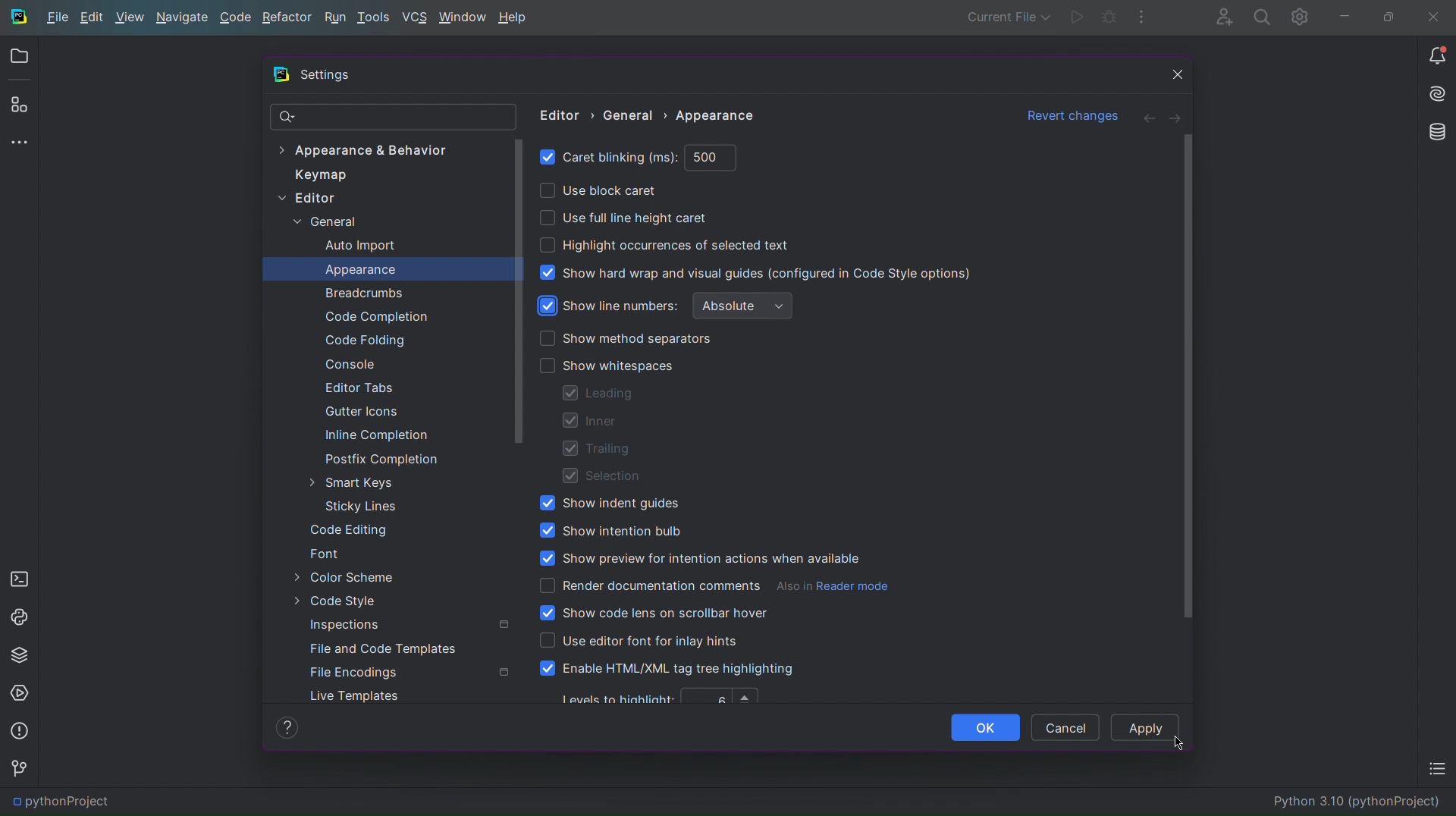 The width and height of the screenshot is (1456, 816). I want to click on File and Code Templates, so click(388, 648).